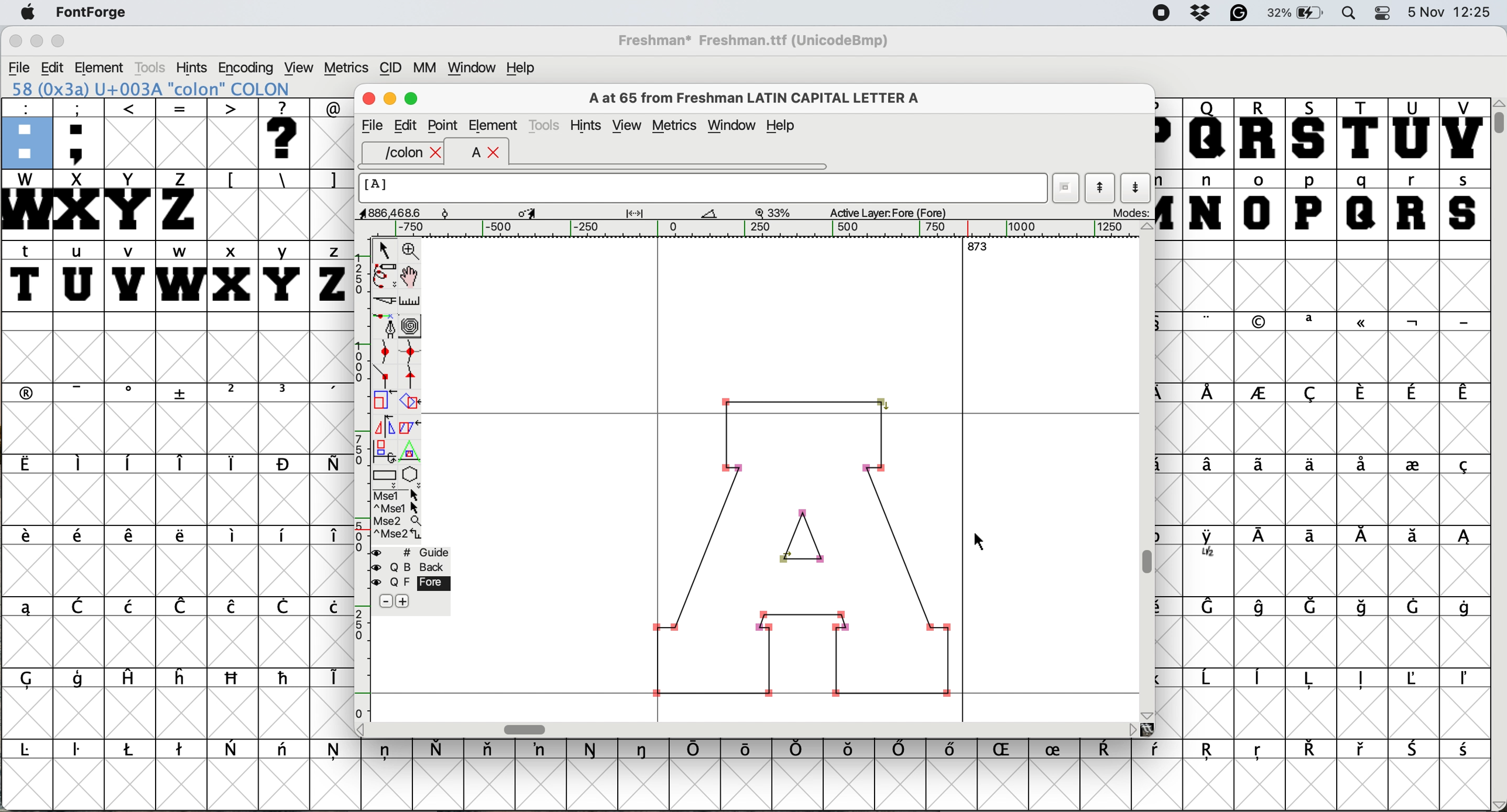 This screenshot has height=812, width=1507. What do you see at coordinates (1199, 13) in the screenshot?
I see `dropbox` at bounding box center [1199, 13].